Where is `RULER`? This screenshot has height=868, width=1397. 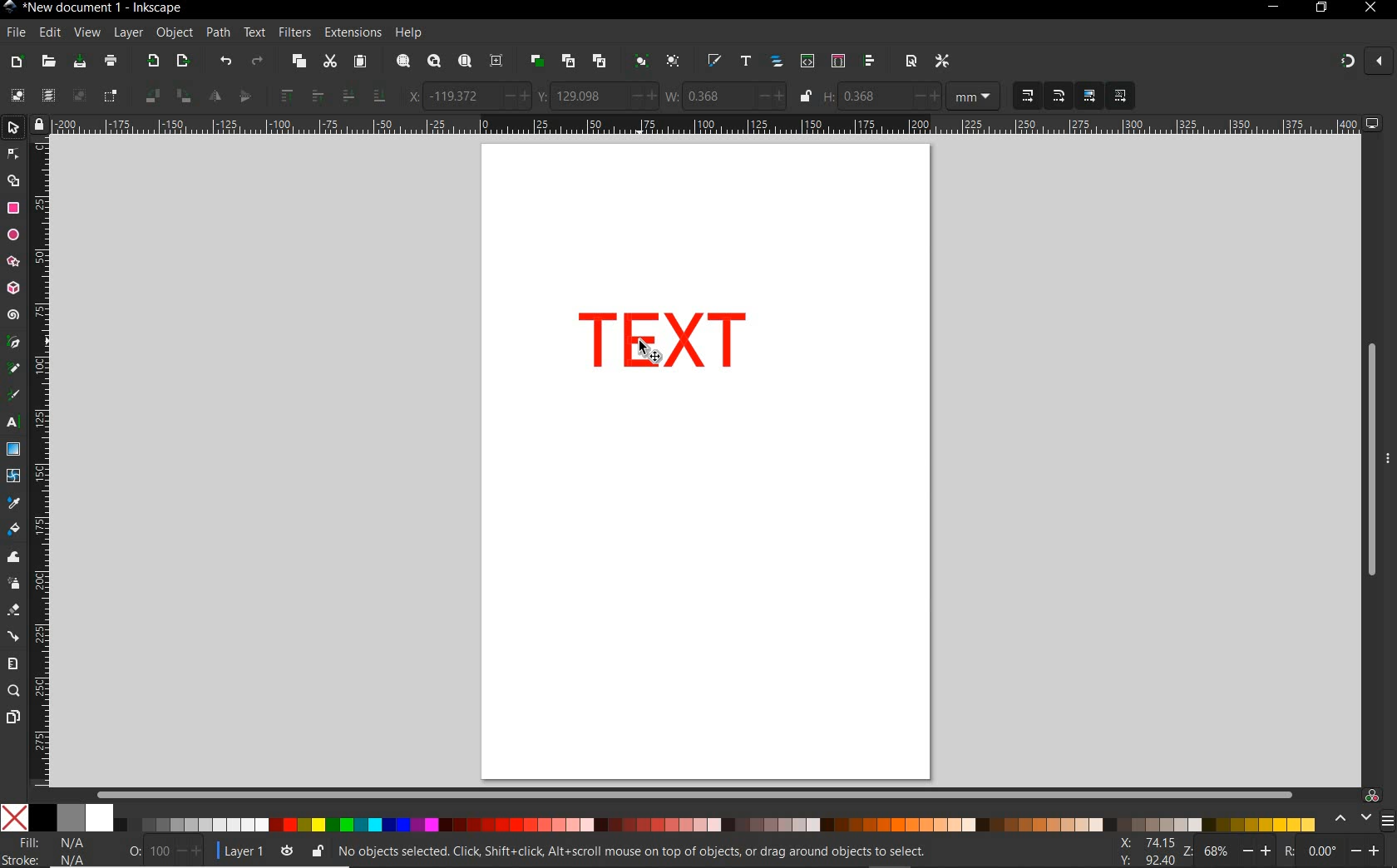
RULER is located at coordinates (42, 463).